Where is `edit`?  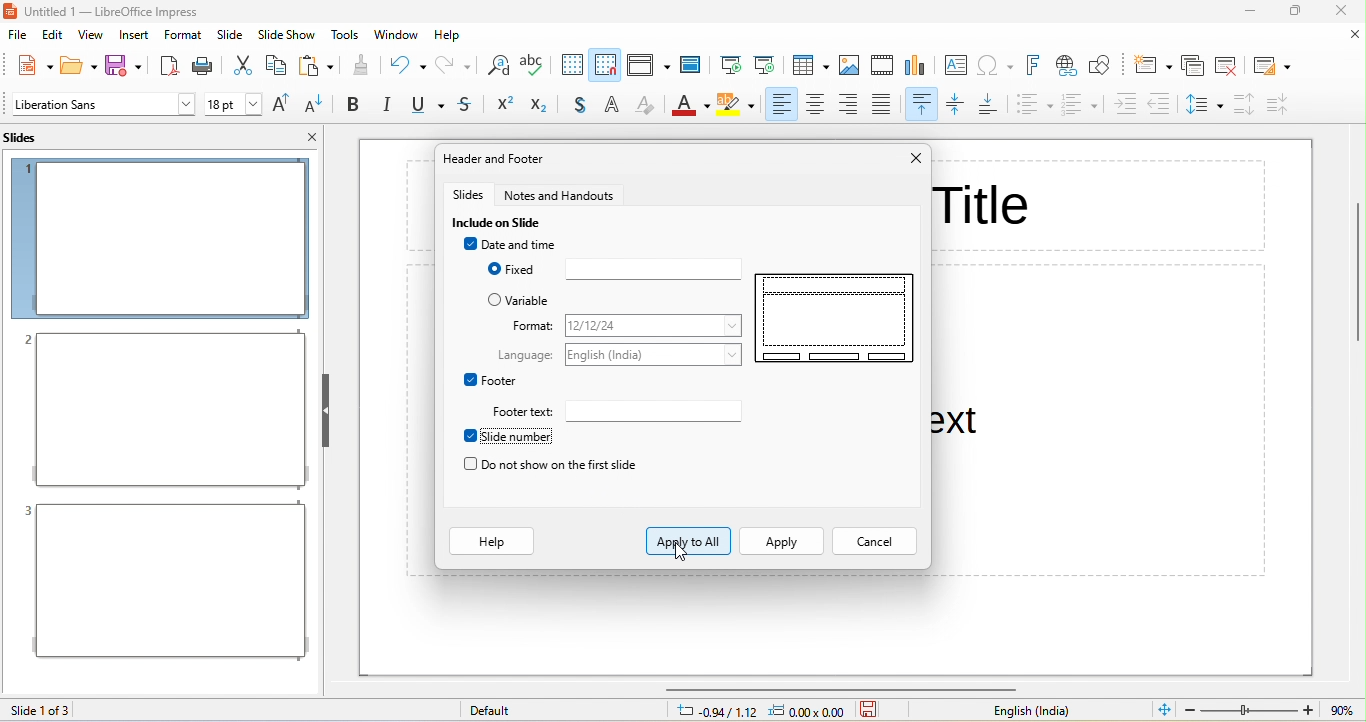 edit is located at coordinates (56, 37).